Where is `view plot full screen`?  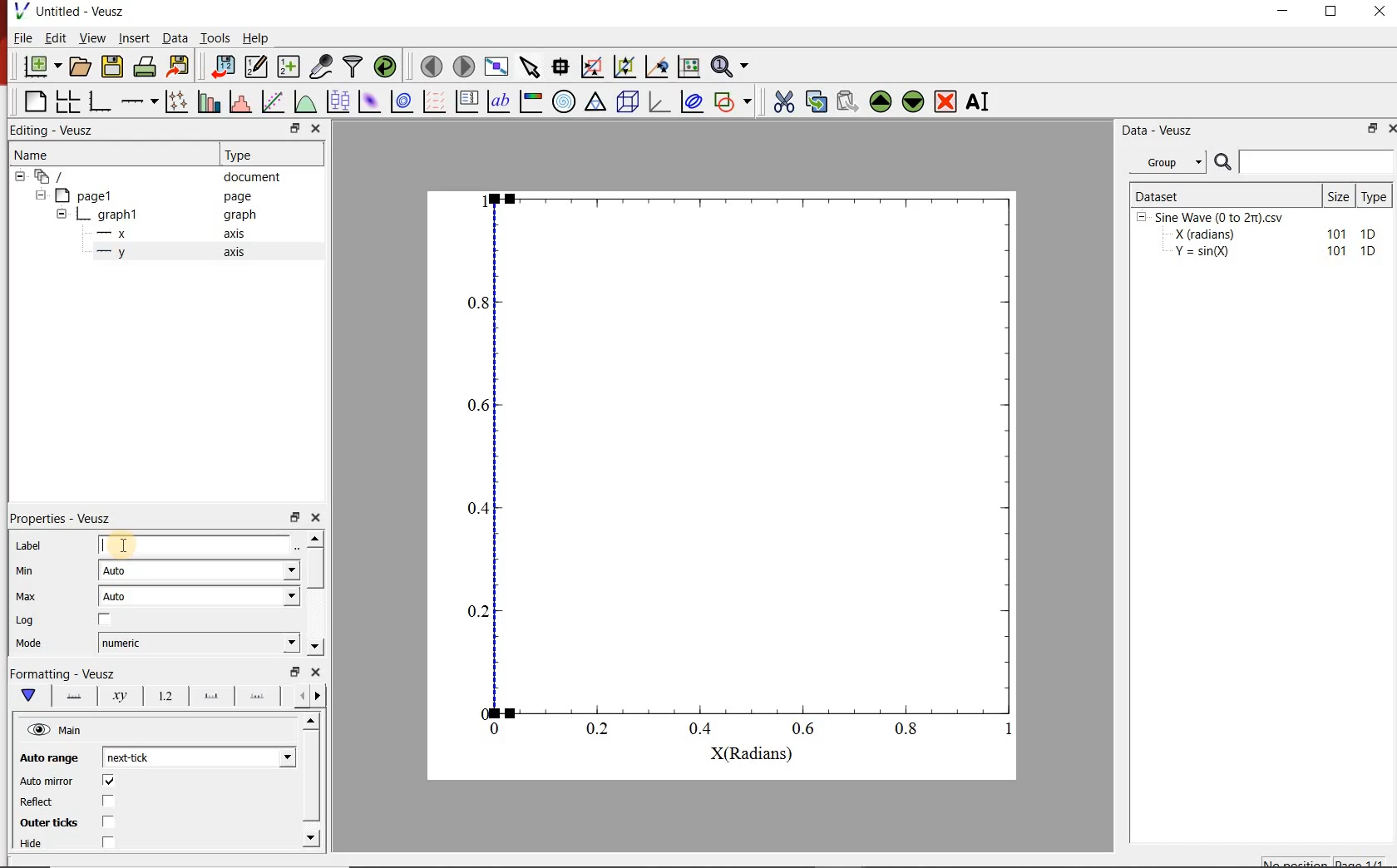 view plot full screen is located at coordinates (496, 66).